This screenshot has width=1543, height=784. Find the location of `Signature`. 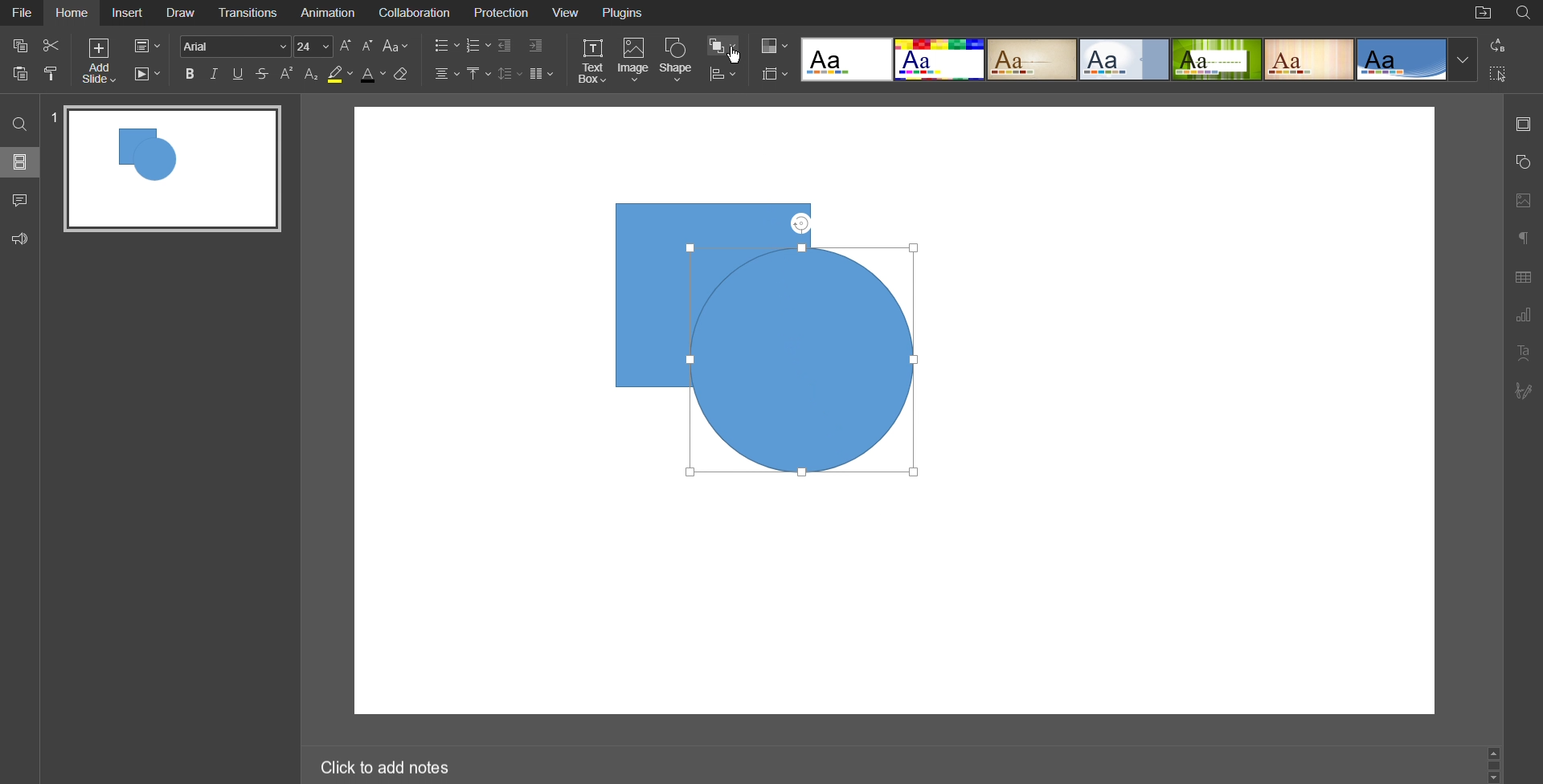

Signature is located at coordinates (1522, 390).